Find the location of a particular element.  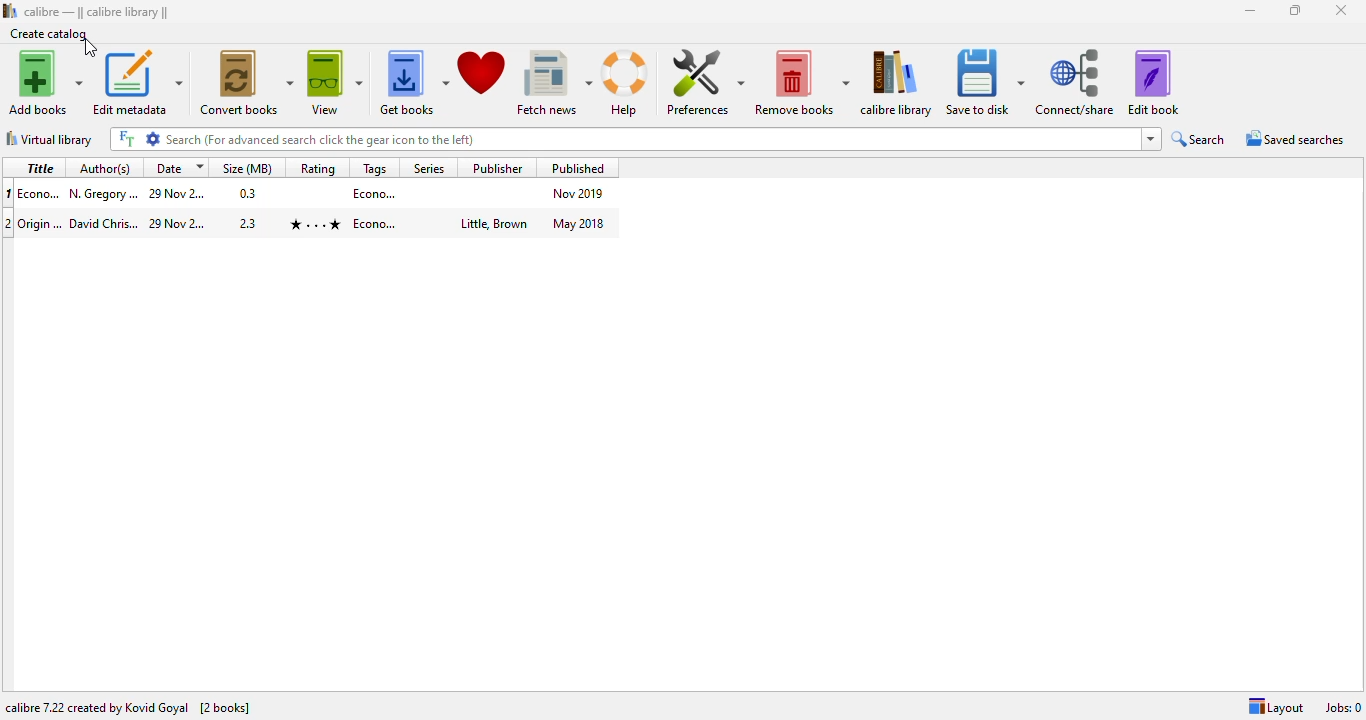

calibre library is located at coordinates (897, 82).